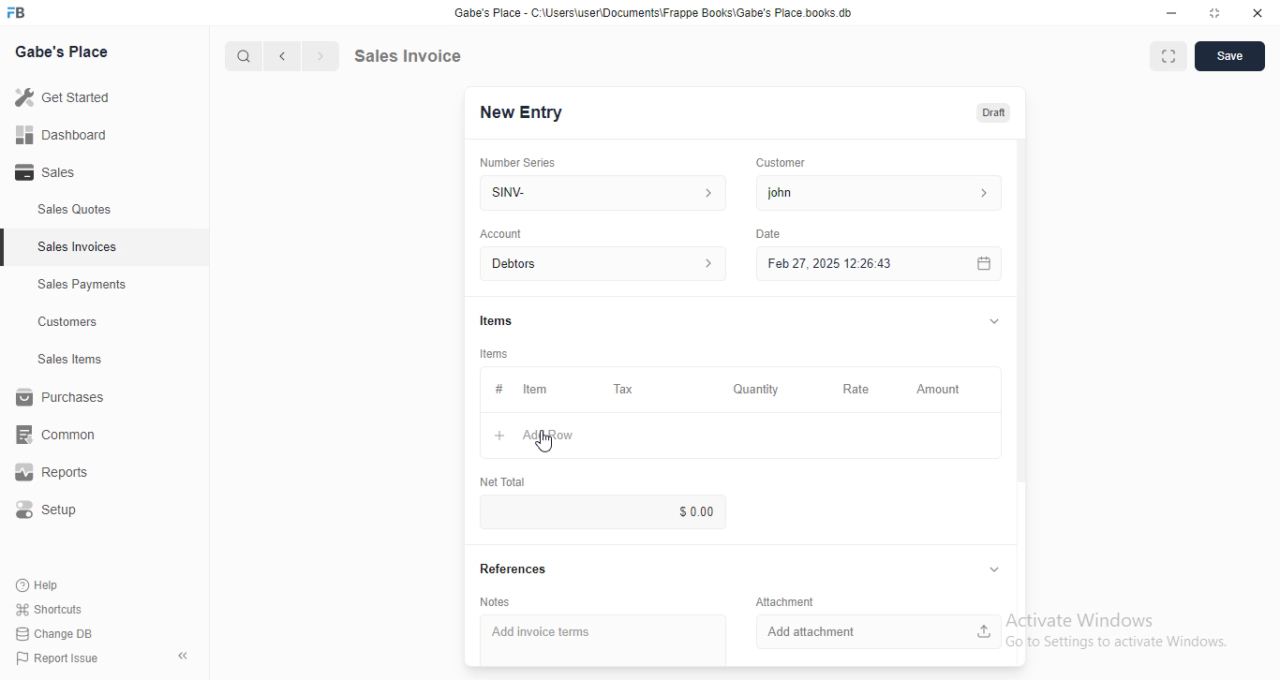 The height and width of the screenshot is (680, 1280). I want to click on previous, so click(284, 54).